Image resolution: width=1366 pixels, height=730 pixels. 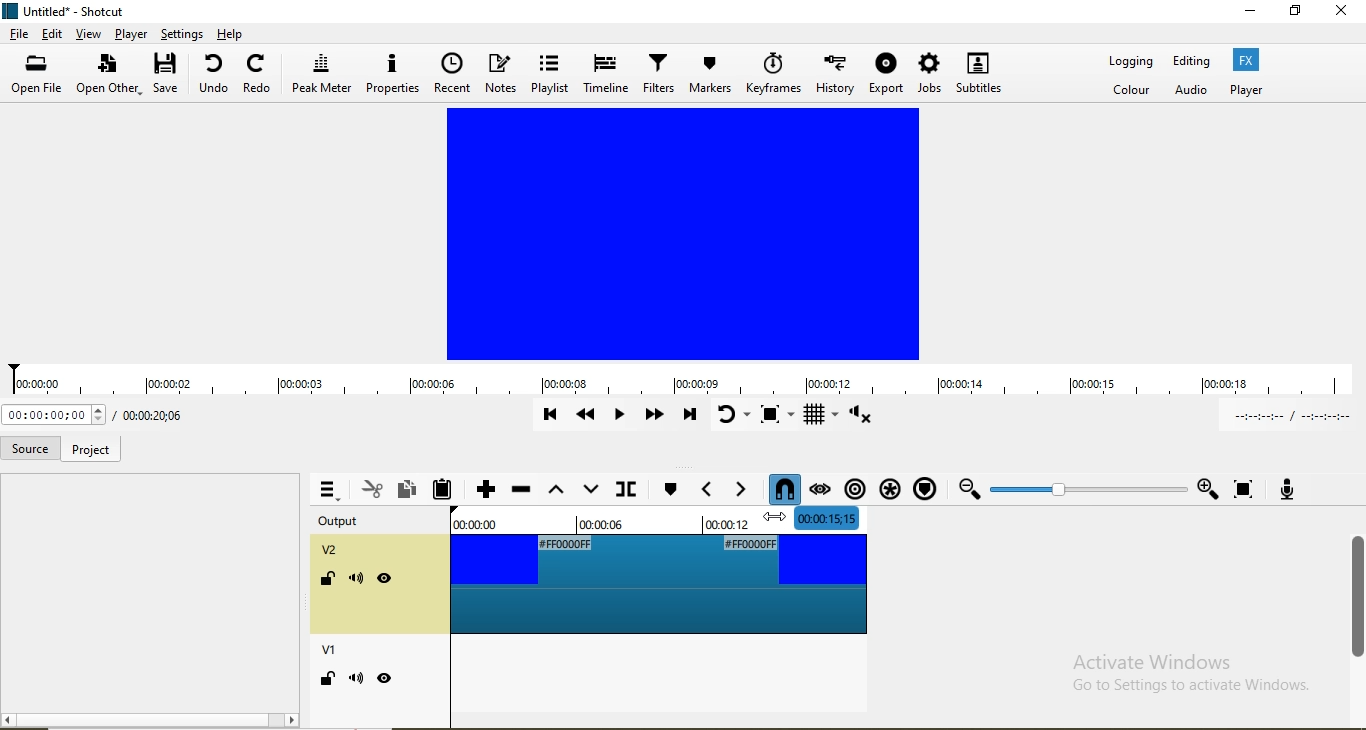 I want to click on Fx, so click(x=1248, y=59).